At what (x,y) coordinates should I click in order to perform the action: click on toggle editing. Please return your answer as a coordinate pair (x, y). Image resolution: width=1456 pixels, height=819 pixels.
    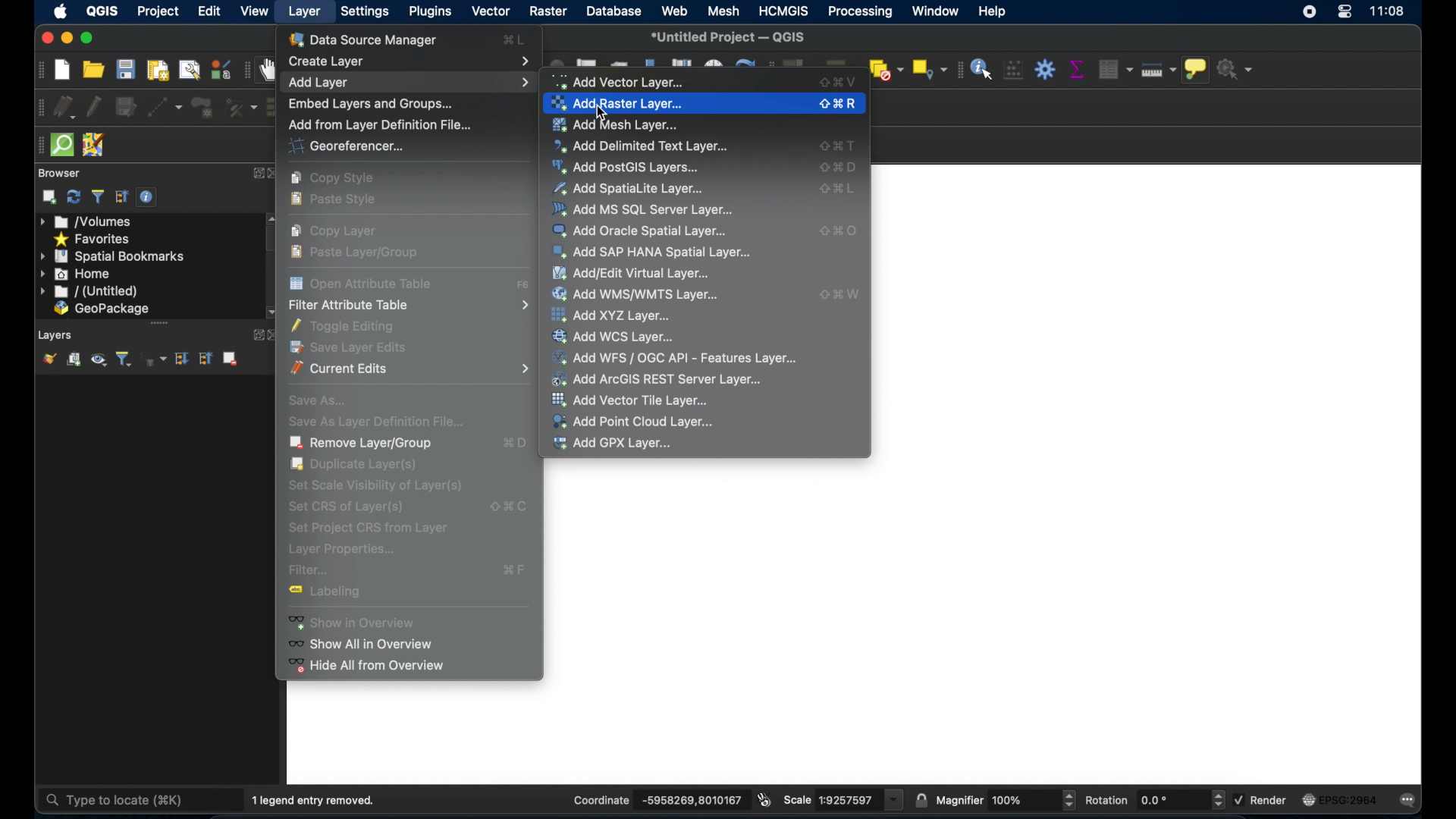
    Looking at the image, I should click on (349, 325).